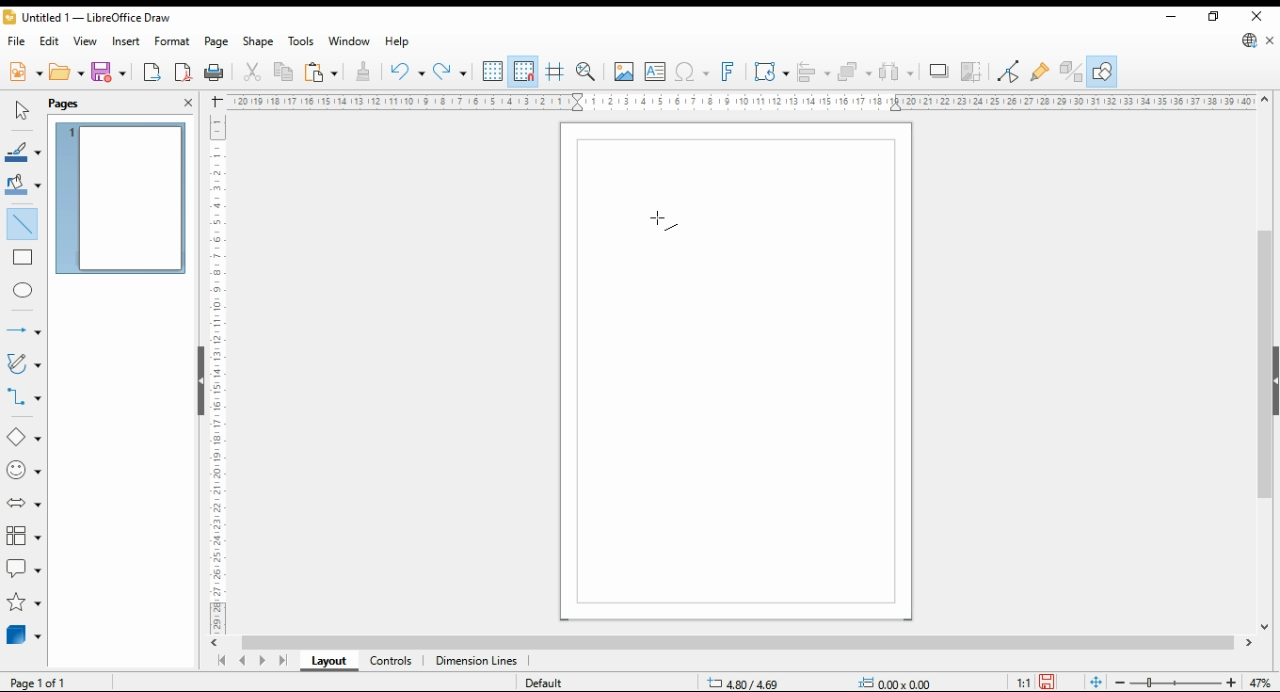 The height and width of the screenshot is (692, 1280). What do you see at coordinates (658, 221) in the screenshot?
I see `mouse pointer` at bounding box center [658, 221].